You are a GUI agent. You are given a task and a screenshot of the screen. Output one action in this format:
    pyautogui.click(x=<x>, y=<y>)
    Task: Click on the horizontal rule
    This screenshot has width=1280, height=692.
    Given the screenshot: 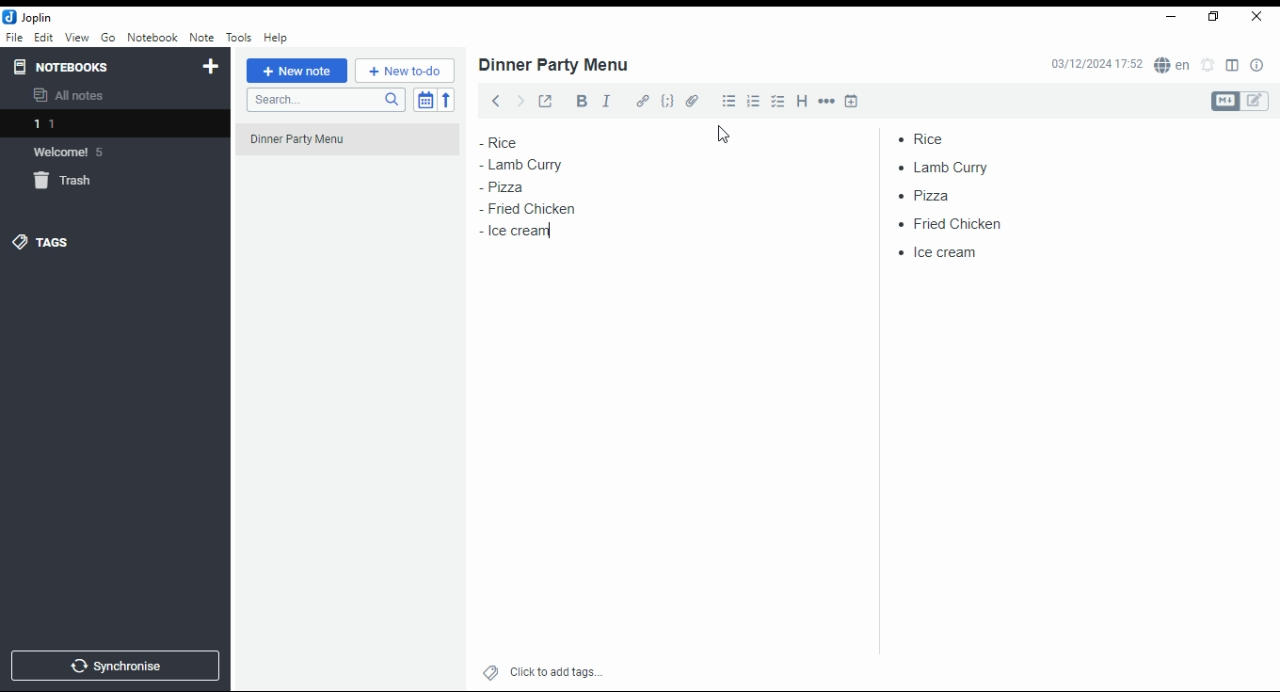 What is the action you would take?
    pyautogui.click(x=827, y=100)
    